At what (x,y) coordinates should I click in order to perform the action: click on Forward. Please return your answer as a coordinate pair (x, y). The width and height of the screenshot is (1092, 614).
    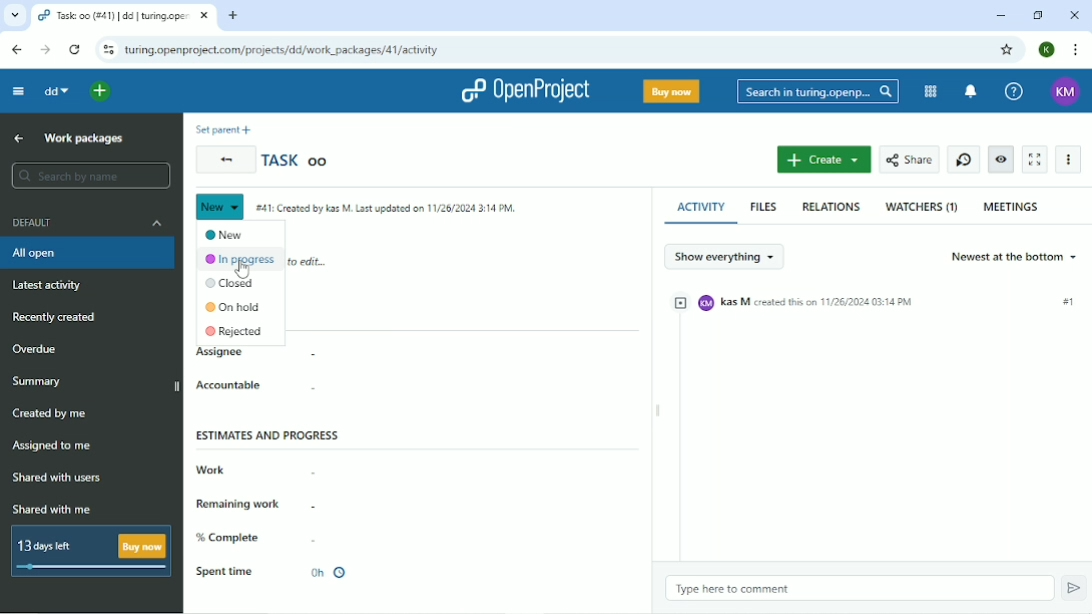
    Looking at the image, I should click on (45, 49).